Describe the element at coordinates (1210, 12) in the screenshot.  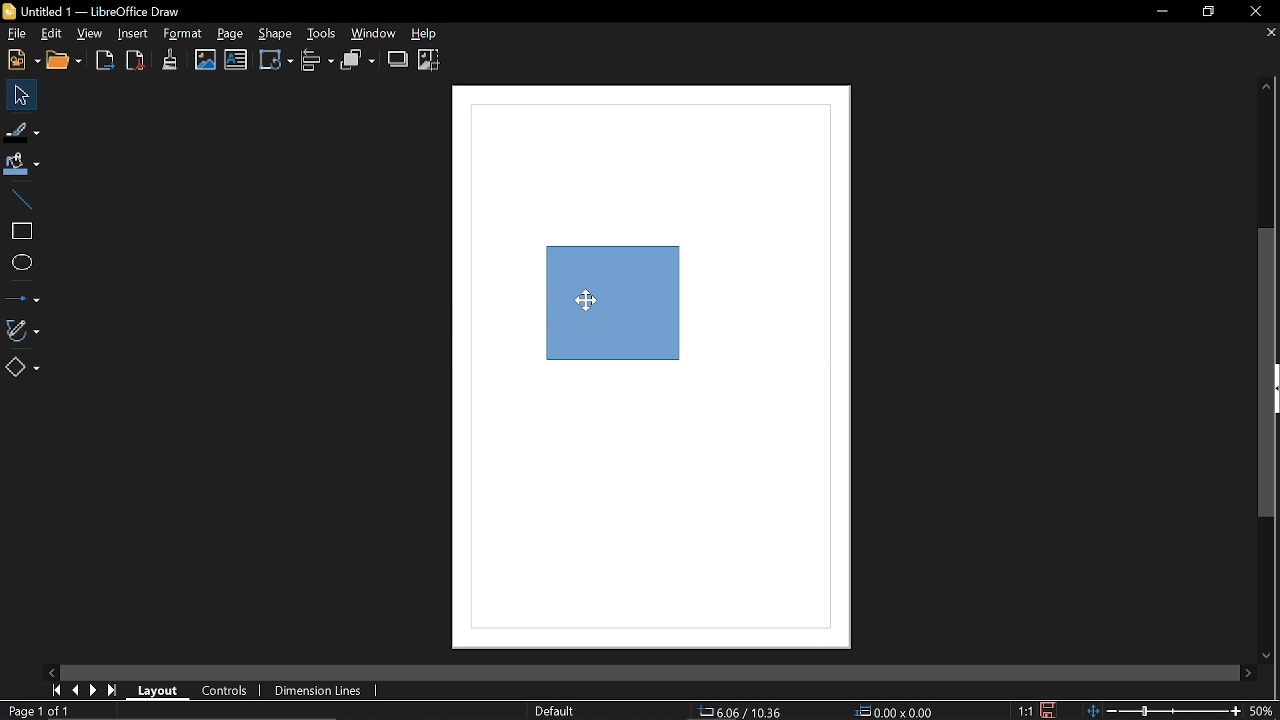
I see `Restore down` at that location.